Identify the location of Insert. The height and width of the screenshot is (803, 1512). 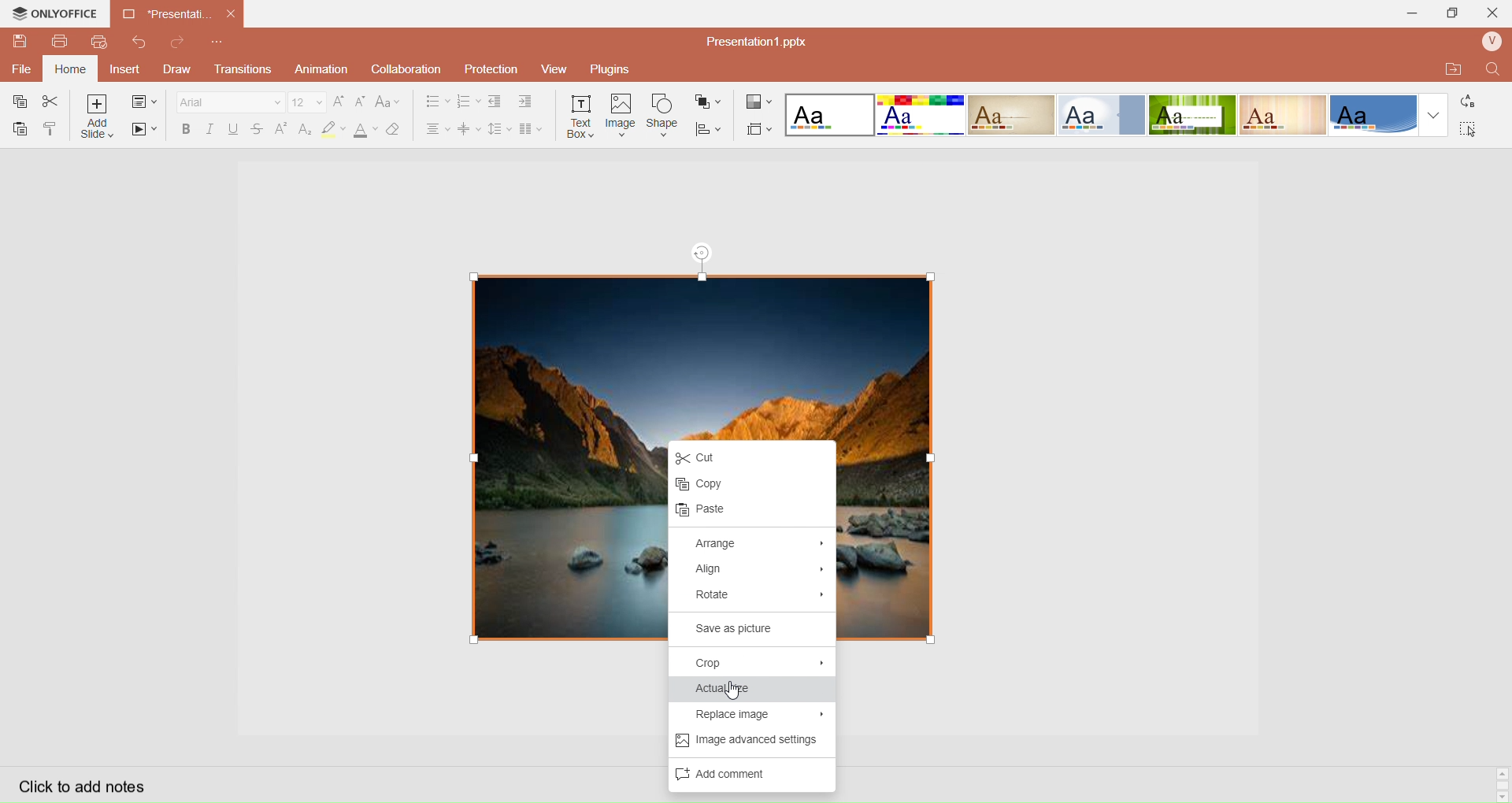
(126, 71).